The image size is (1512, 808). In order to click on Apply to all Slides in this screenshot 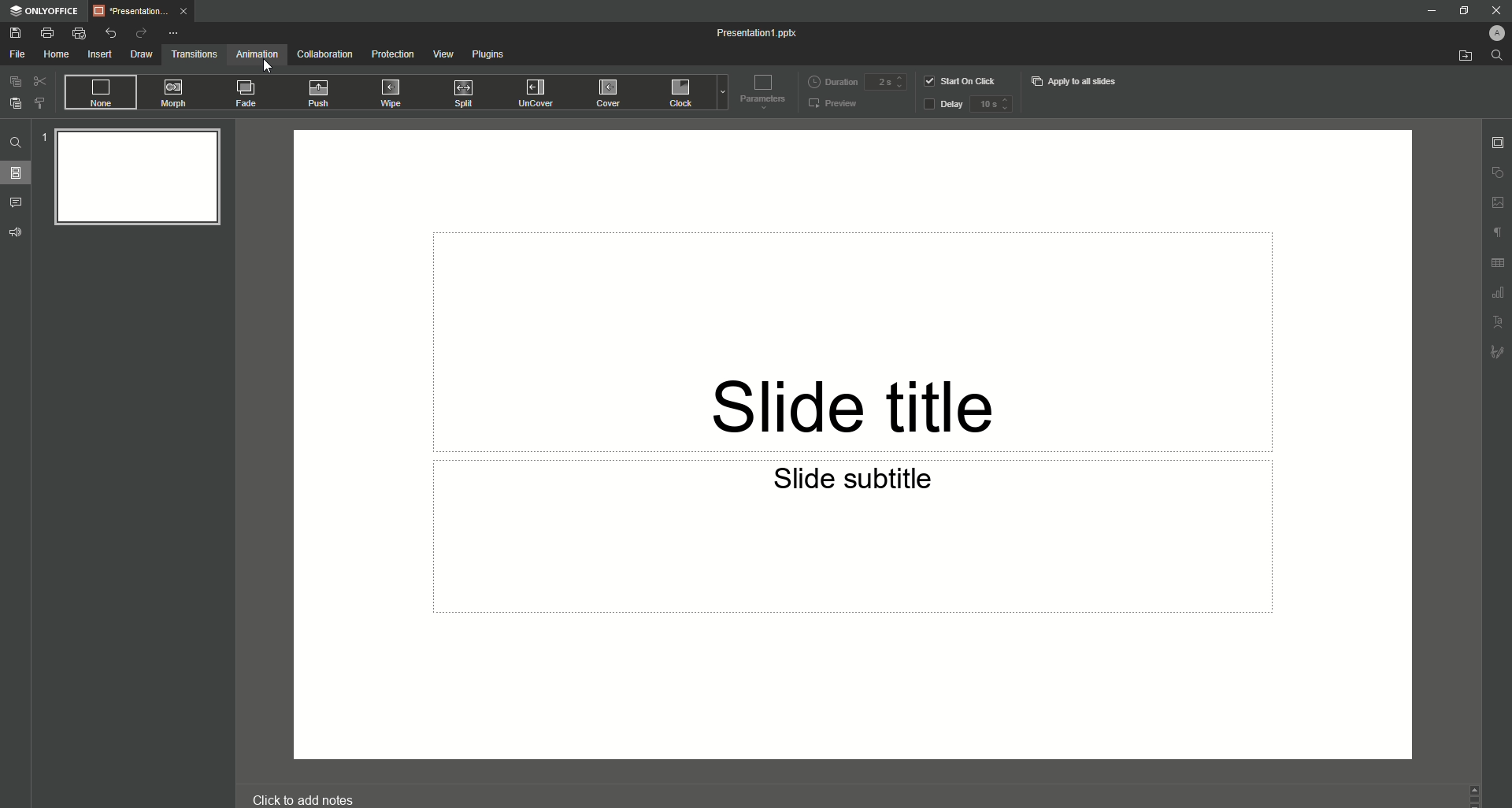, I will do `click(1077, 83)`.